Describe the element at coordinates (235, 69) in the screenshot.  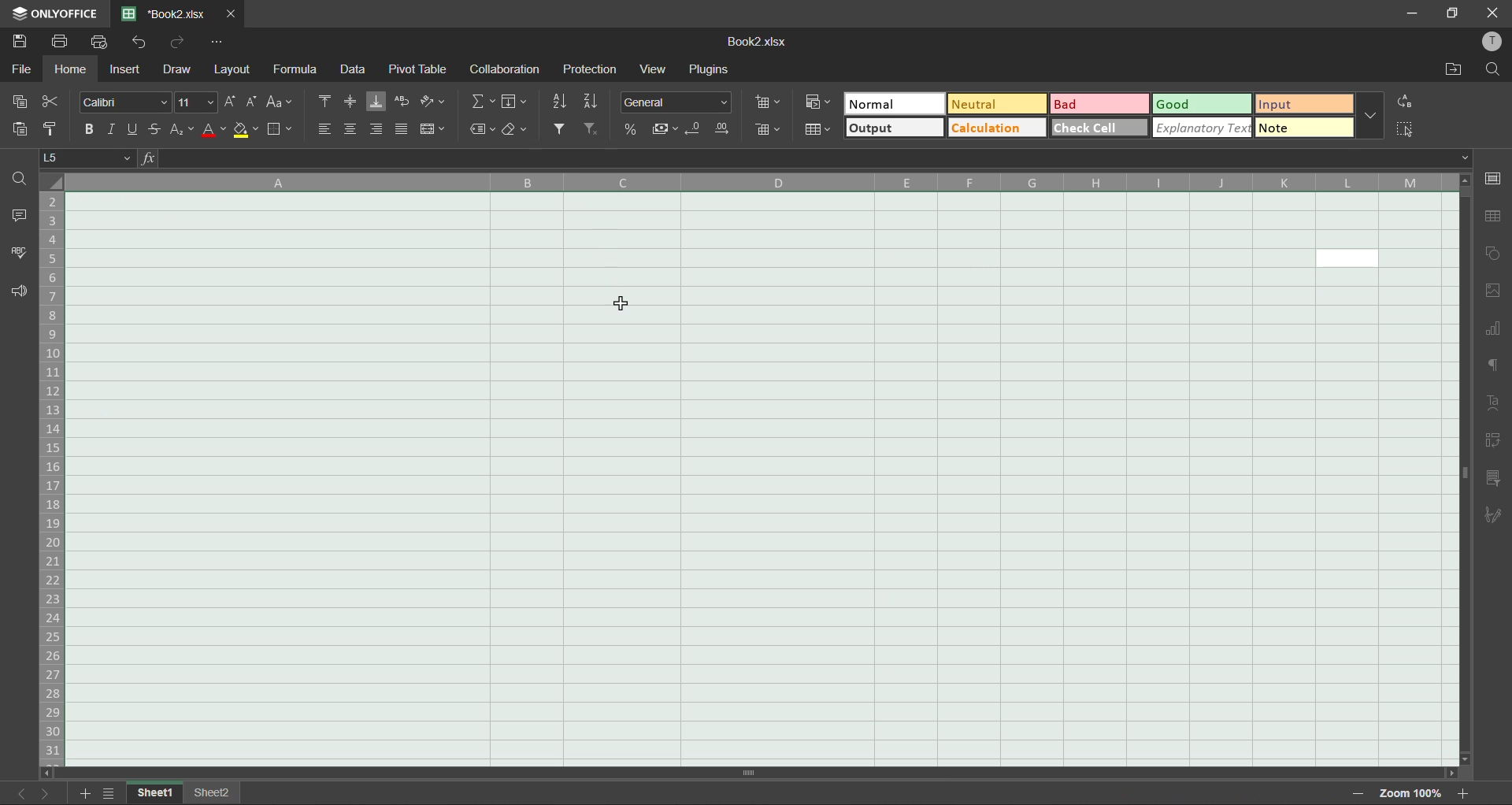
I see `layout` at that location.